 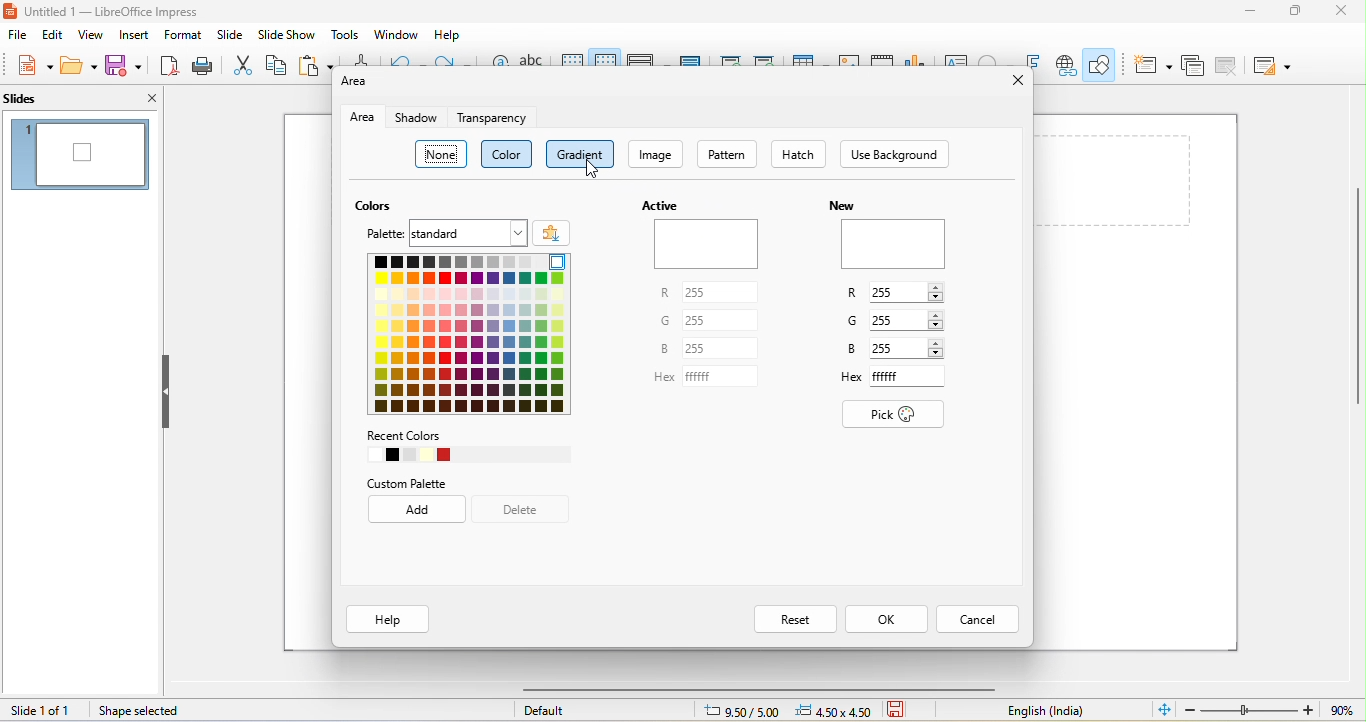 I want to click on fit to current window, so click(x=1165, y=709).